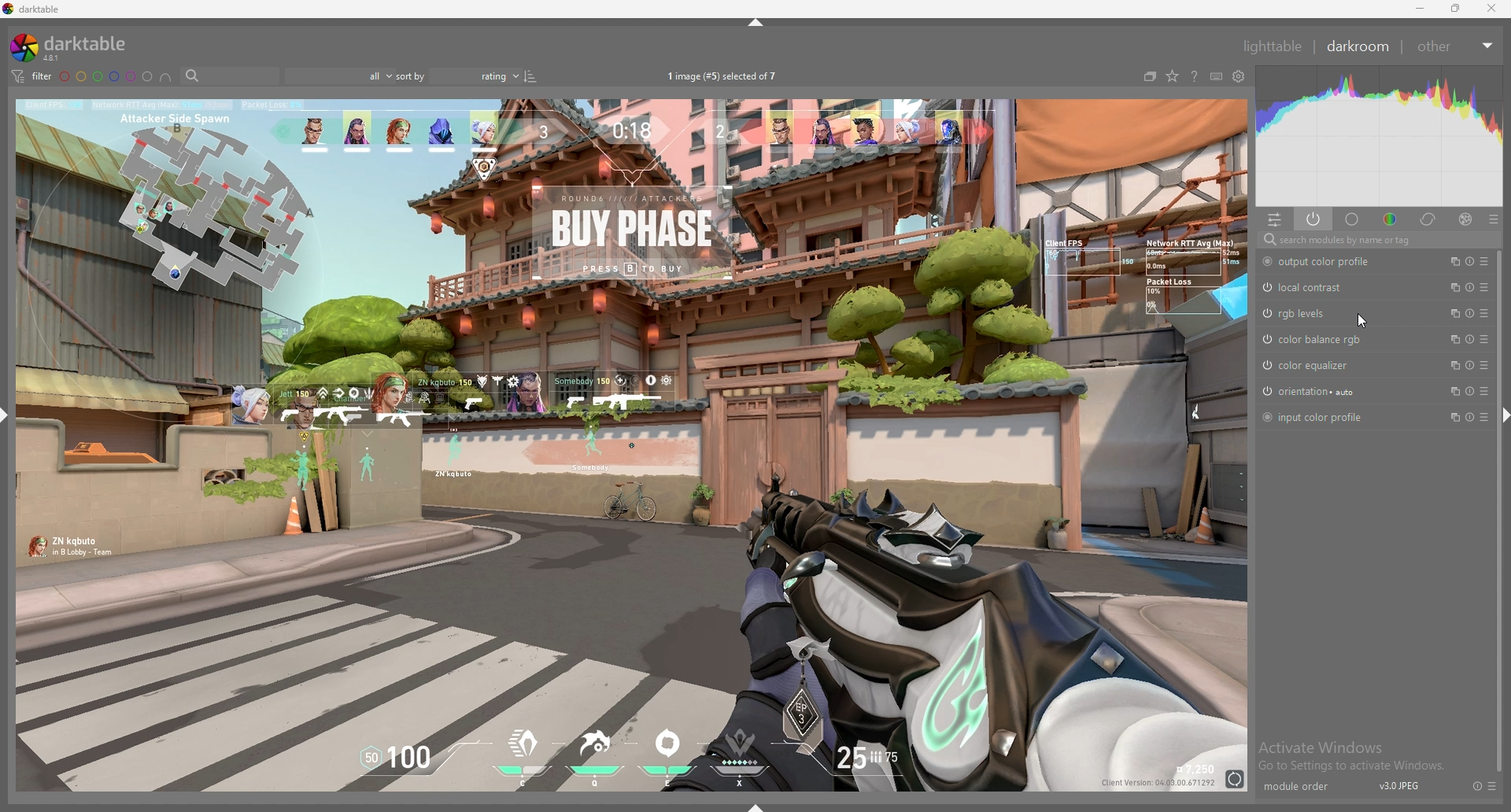  I want to click on rgb levels, so click(1307, 314).